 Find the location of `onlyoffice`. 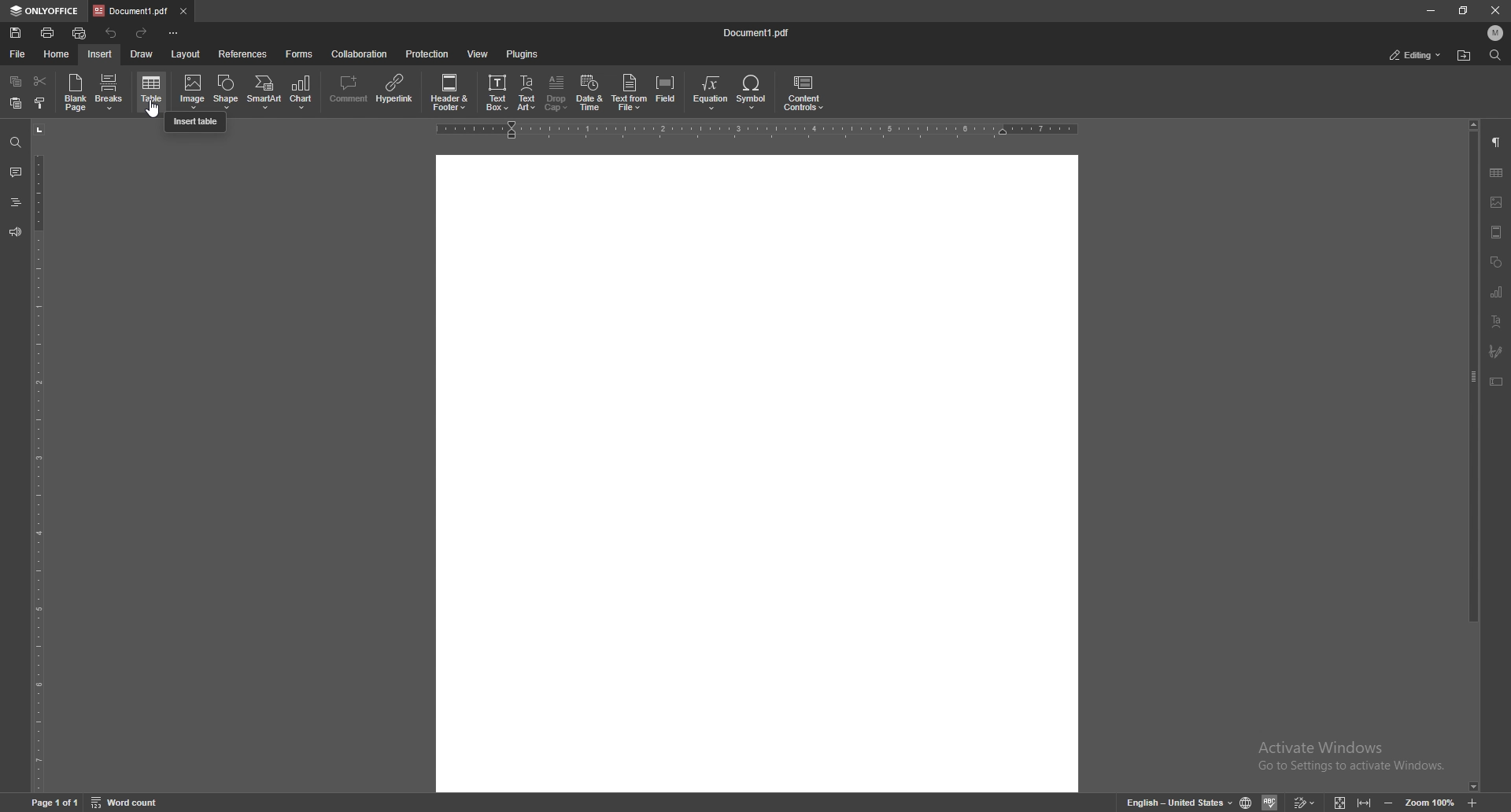

onlyoffice is located at coordinates (47, 12).